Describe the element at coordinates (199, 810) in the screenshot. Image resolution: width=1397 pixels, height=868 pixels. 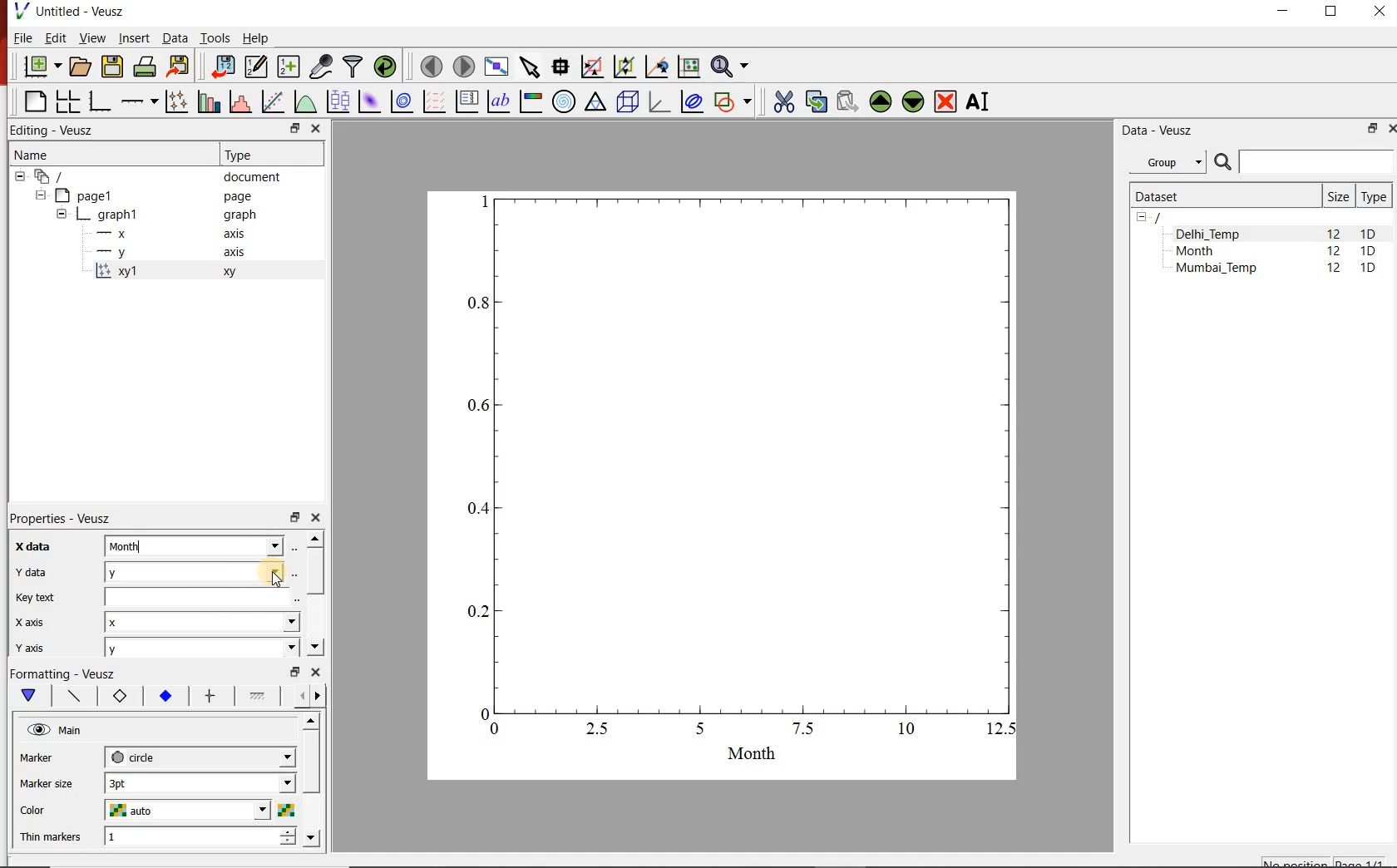
I see `auto` at that location.